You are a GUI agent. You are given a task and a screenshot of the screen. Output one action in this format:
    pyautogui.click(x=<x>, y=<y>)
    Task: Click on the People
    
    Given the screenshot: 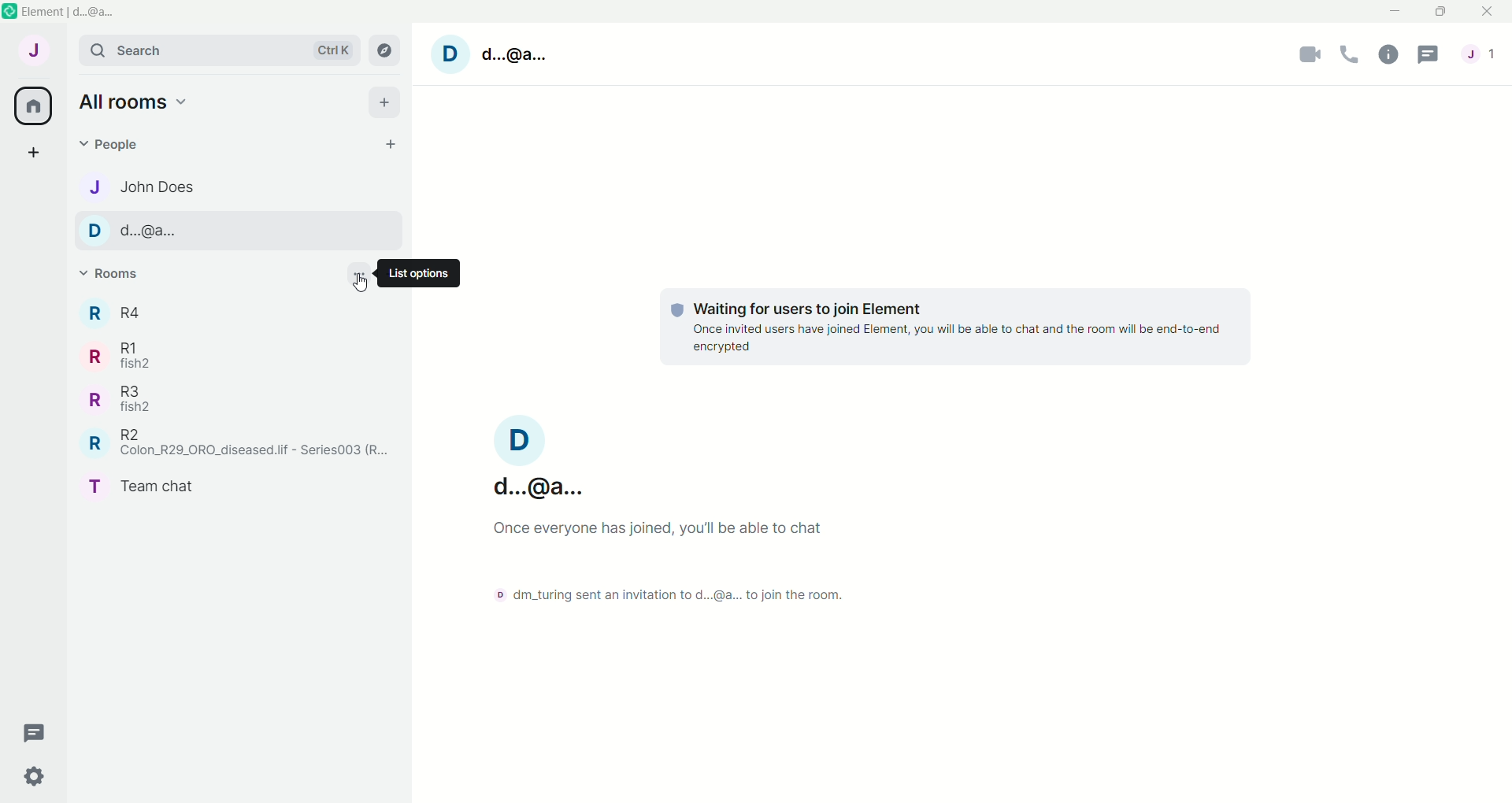 What is the action you would take?
    pyautogui.click(x=1484, y=54)
    